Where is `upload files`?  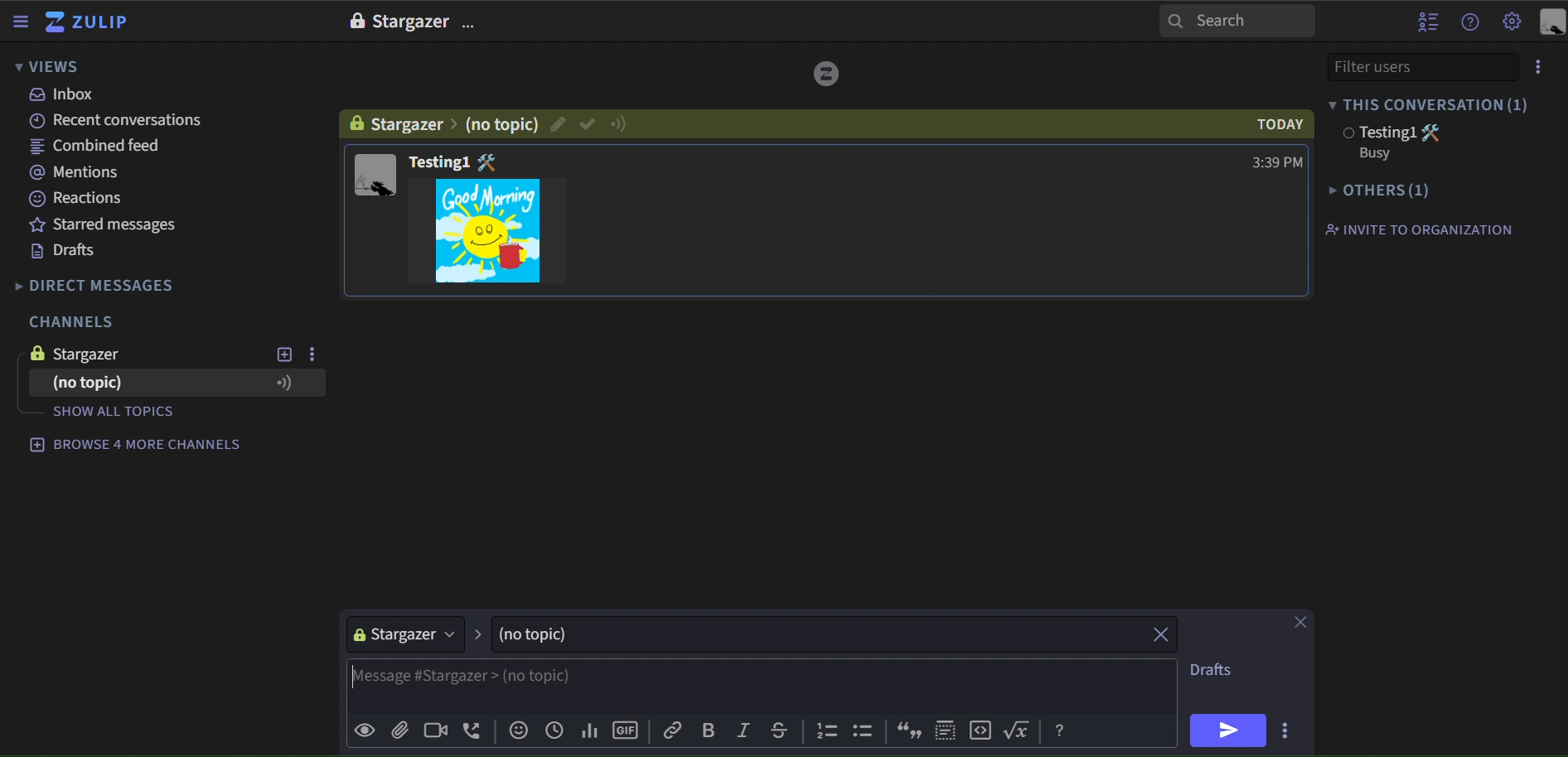
upload files is located at coordinates (399, 730).